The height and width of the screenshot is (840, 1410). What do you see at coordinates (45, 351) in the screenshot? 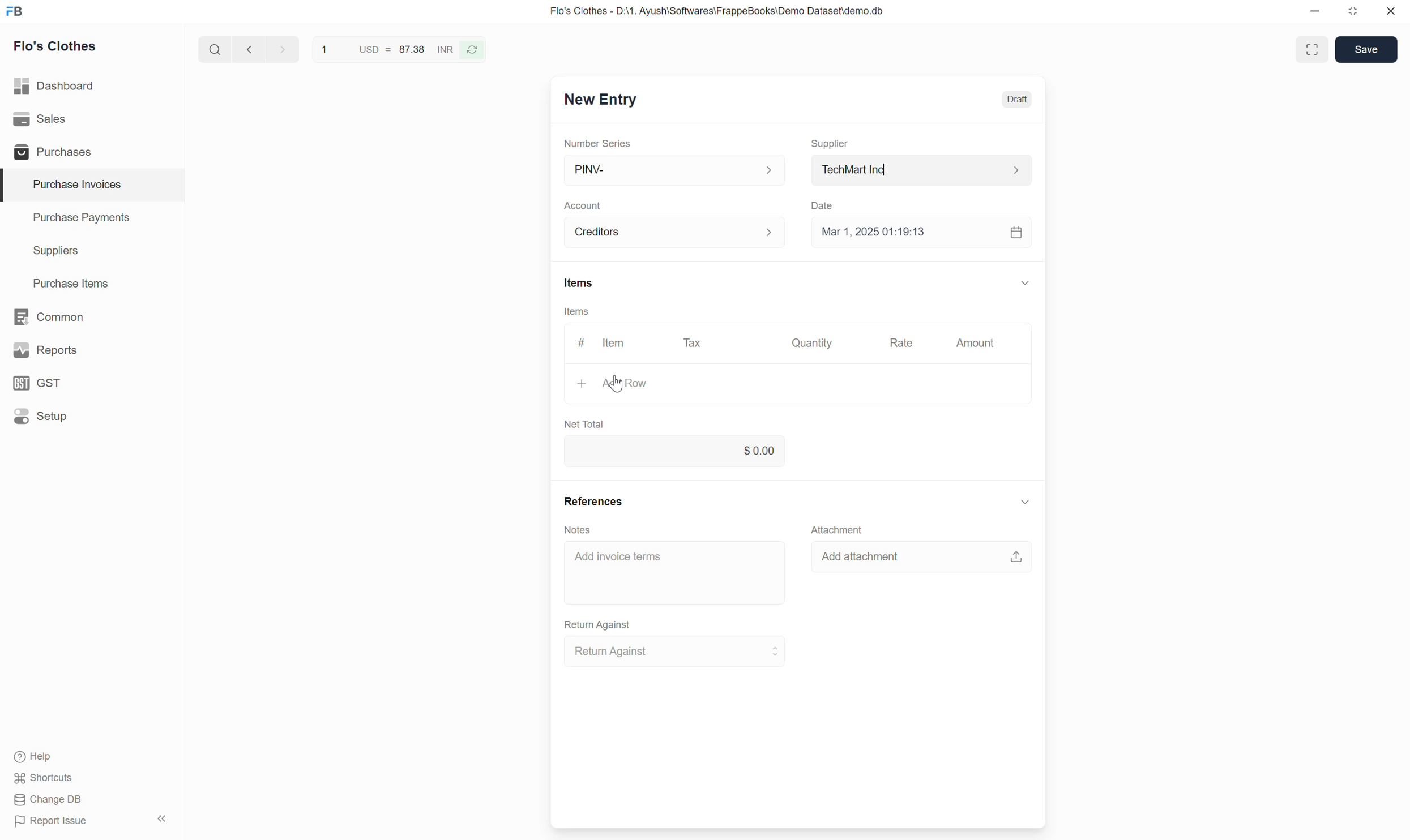
I see `y Reports` at bounding box center [45, 351].